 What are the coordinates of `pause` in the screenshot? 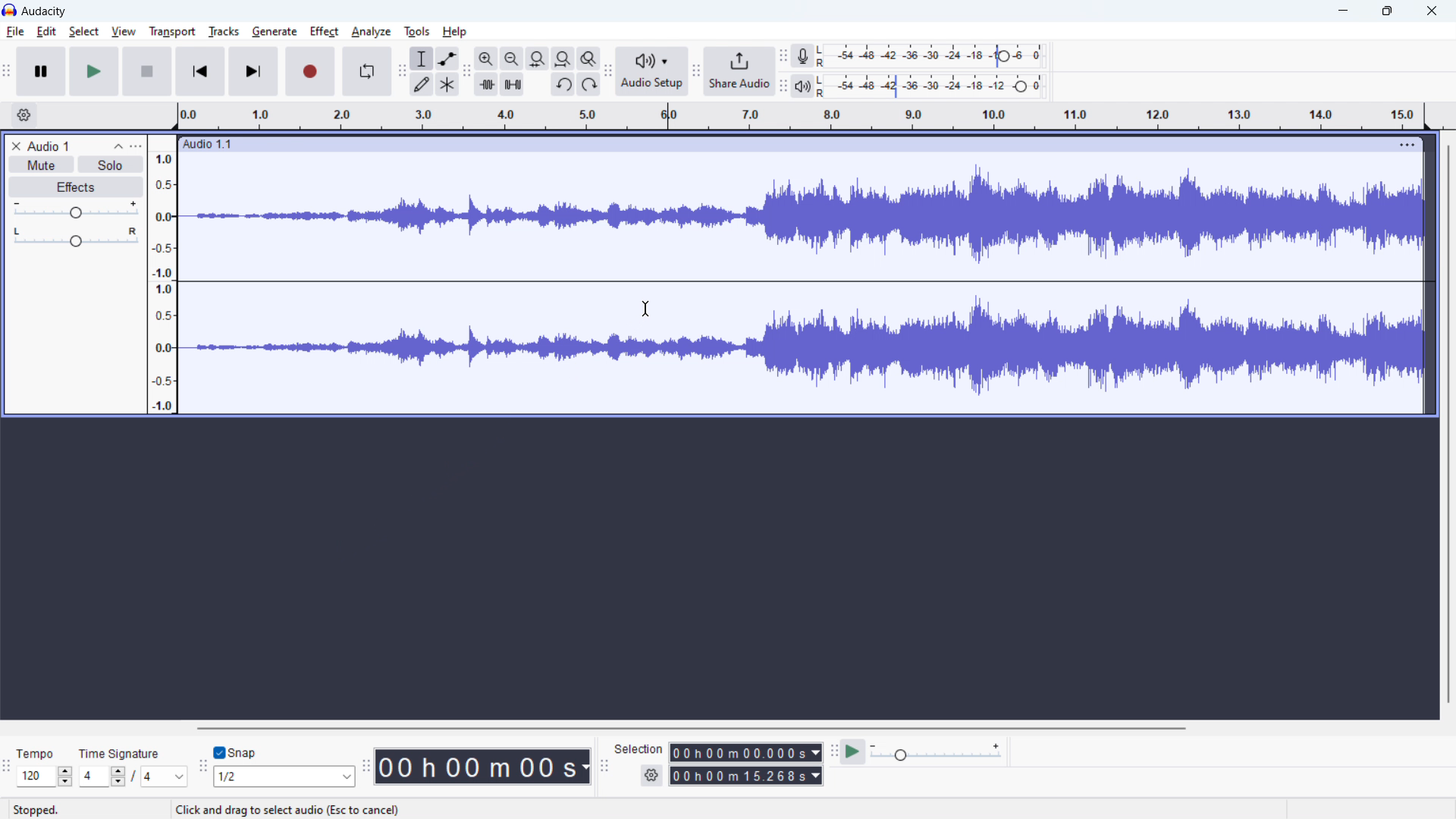 It's located at (41, 71).